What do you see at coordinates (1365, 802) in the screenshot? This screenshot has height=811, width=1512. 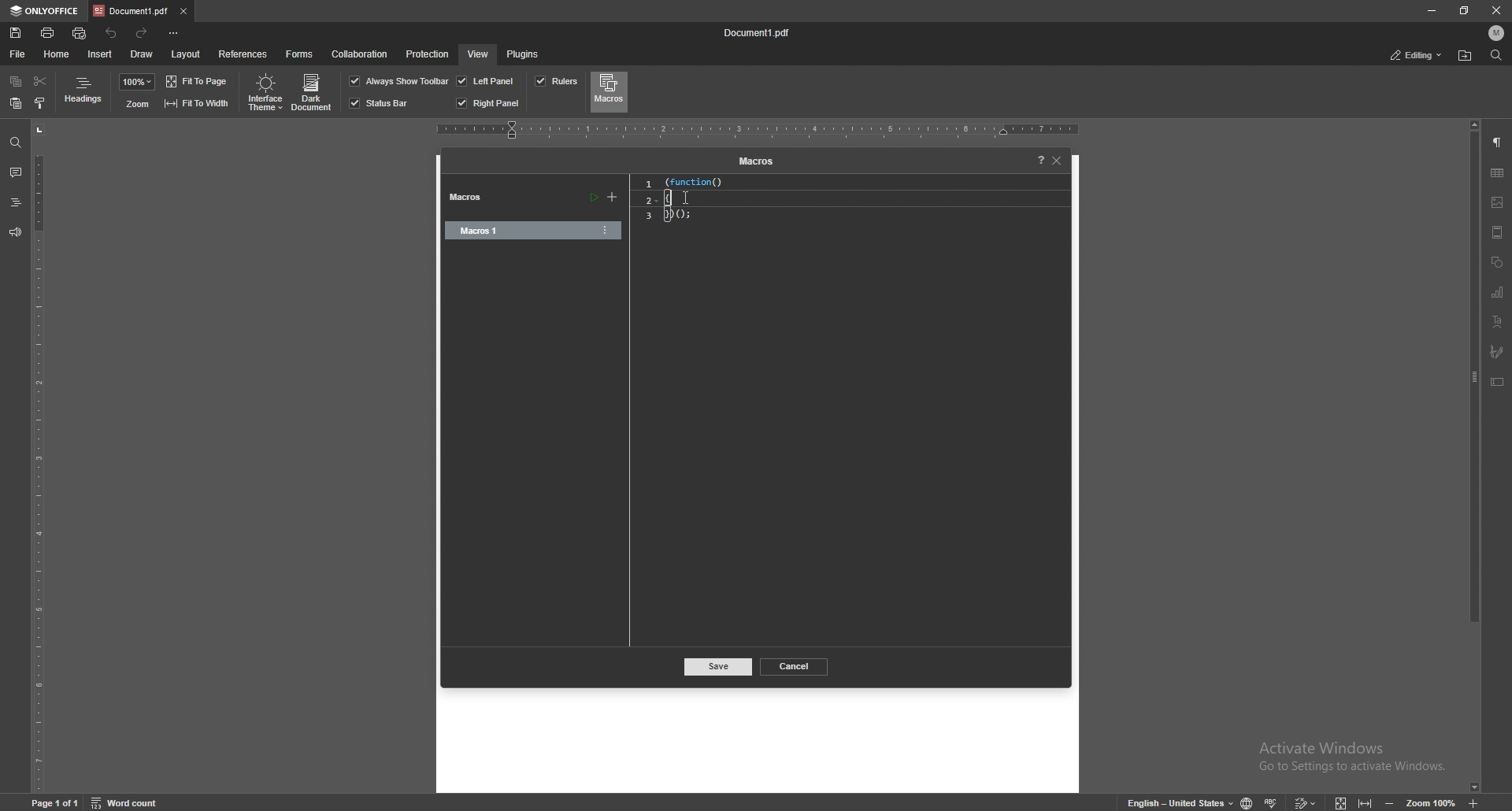 I see `fit to width` at bounding box center [1365, 802].